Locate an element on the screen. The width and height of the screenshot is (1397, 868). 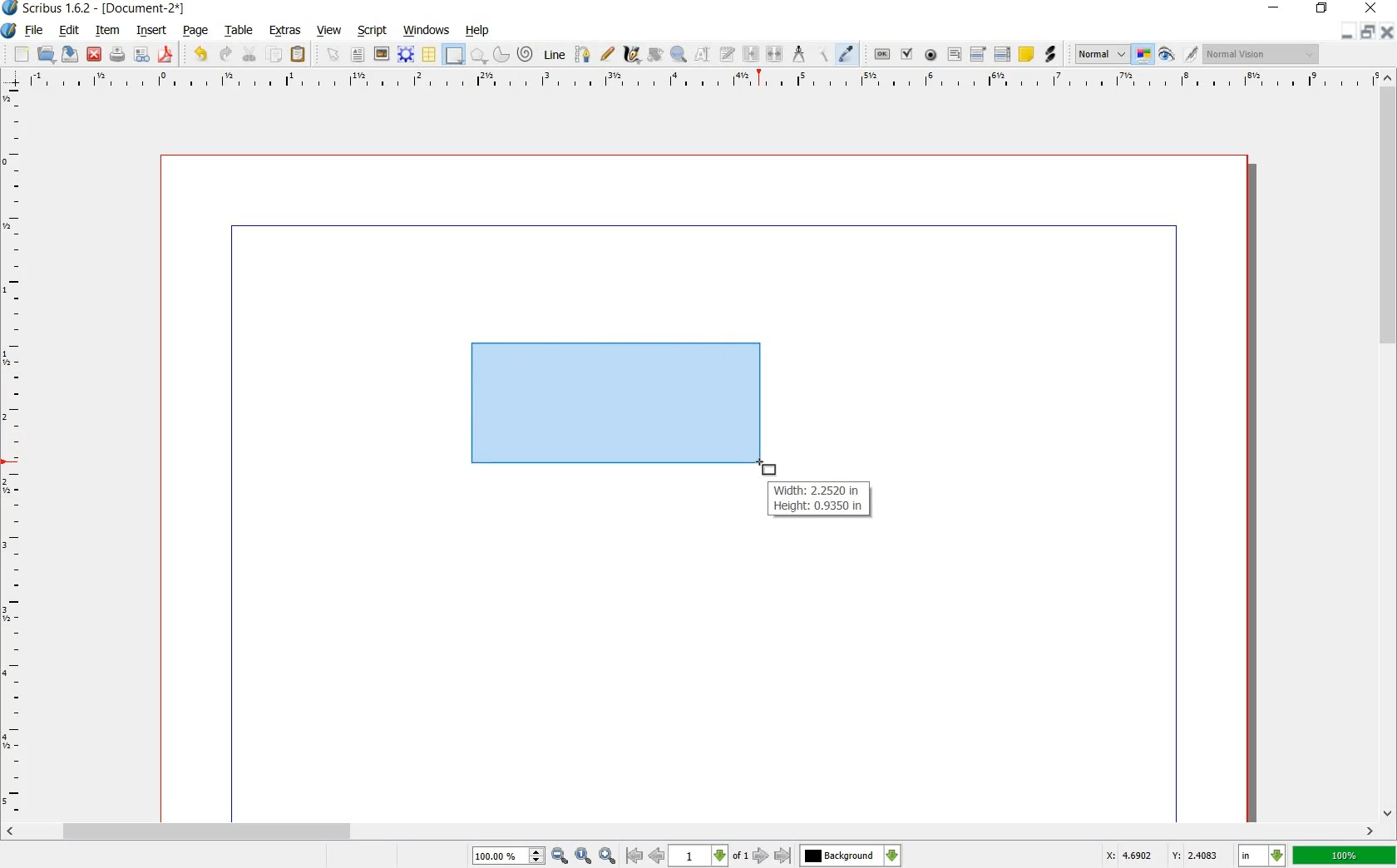
RENDER FRAME is located at coordinates (405, 55).